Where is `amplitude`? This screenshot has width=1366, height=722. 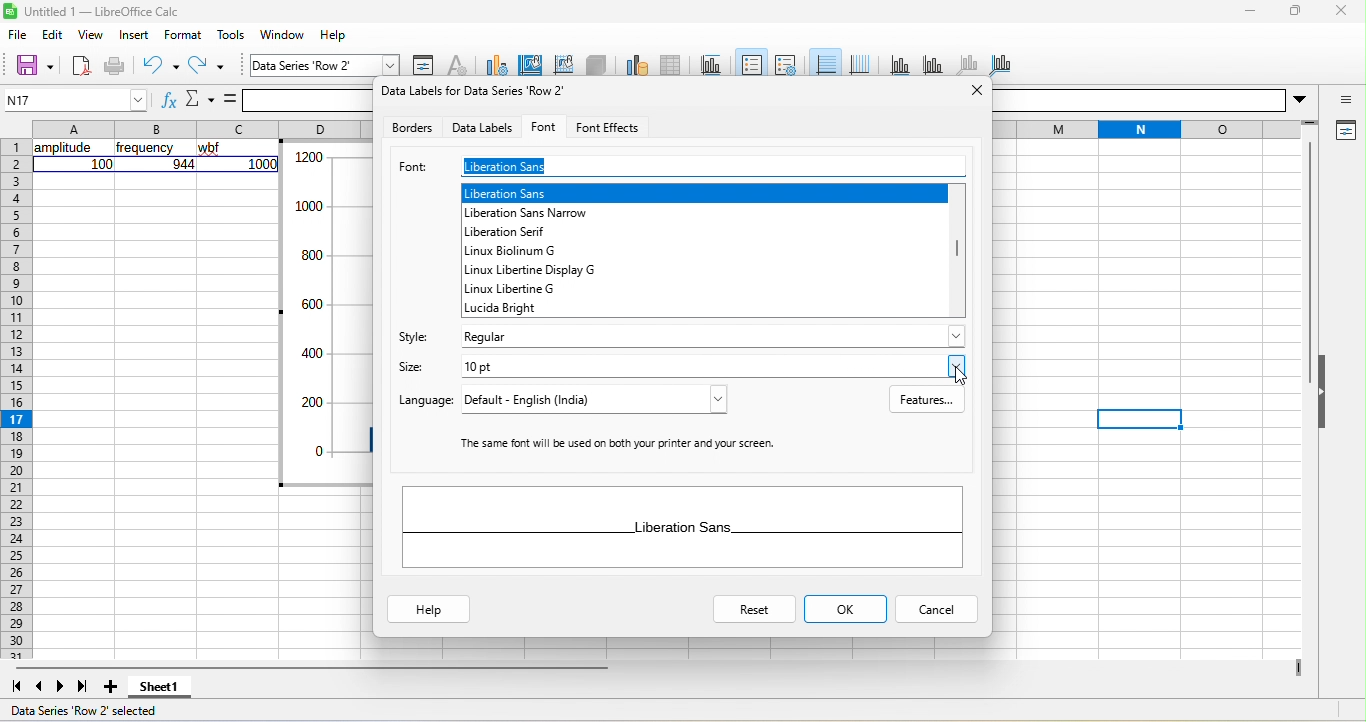
amplitude is located at coordinates (63, 148).